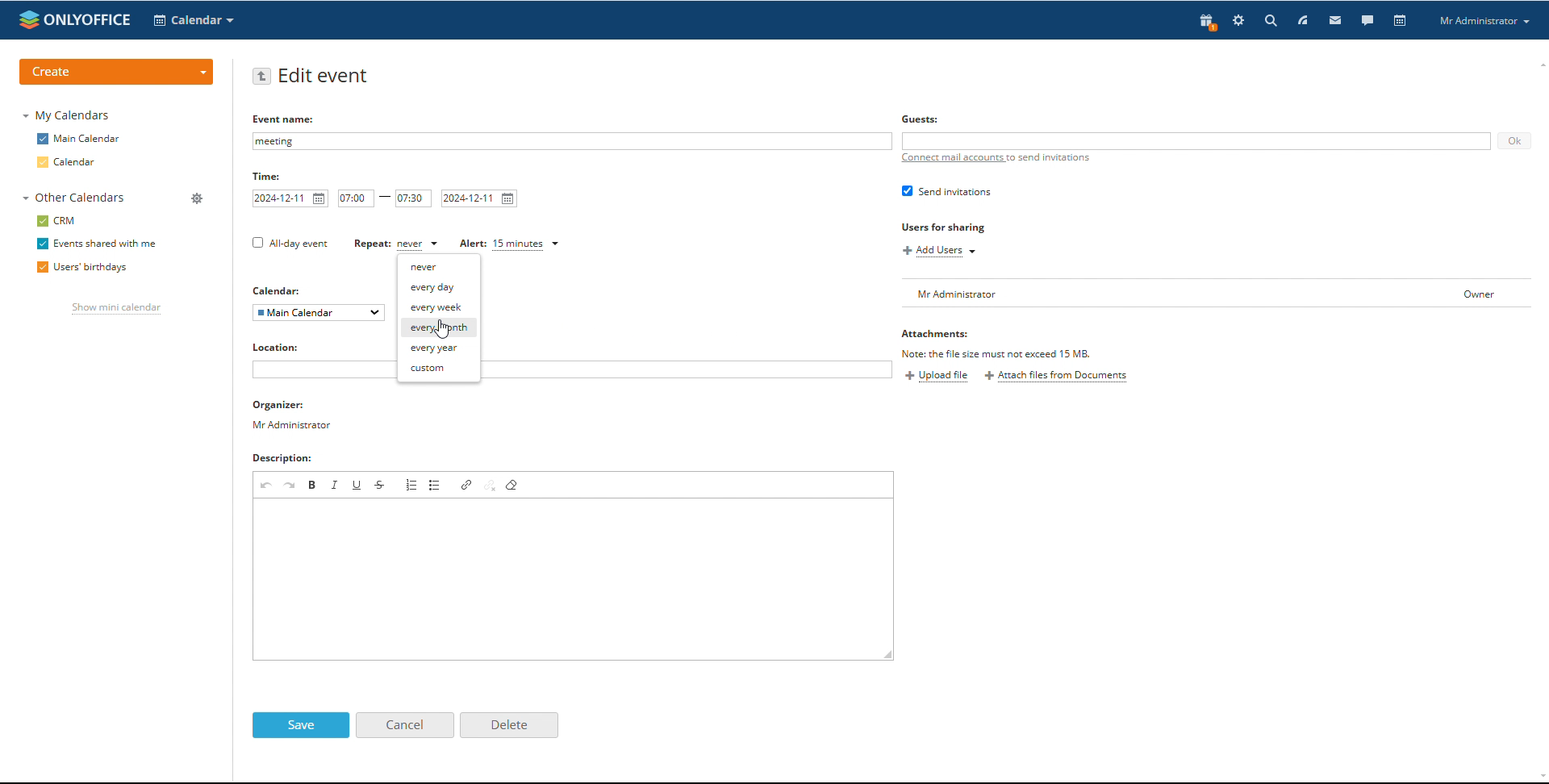 This screenshot has width=1549, height=784. I want to click on create, so click(118, 72).